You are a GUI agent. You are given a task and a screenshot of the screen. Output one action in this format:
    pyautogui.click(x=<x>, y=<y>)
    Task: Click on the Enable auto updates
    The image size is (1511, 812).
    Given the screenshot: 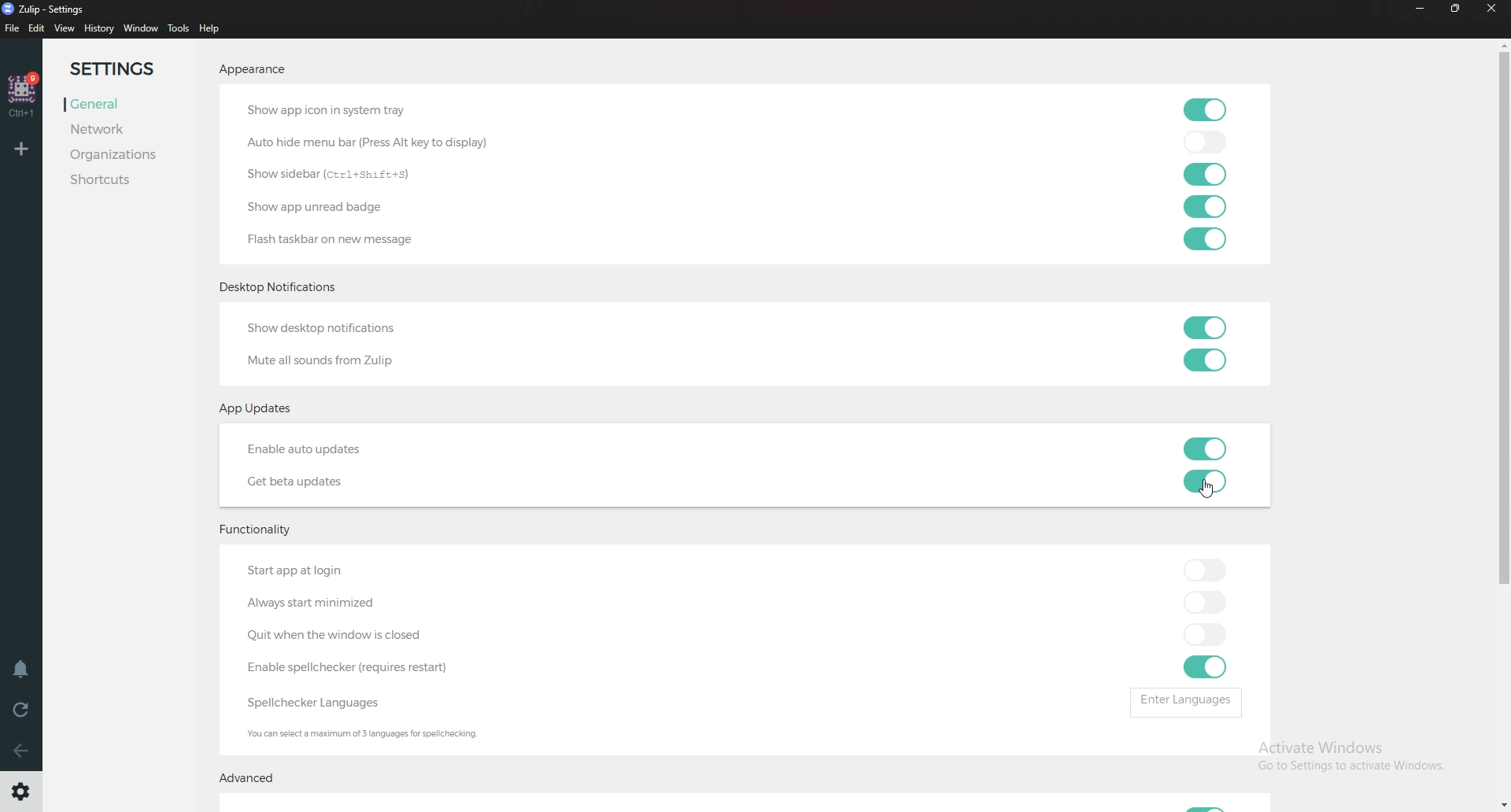 What is the action you would take?
    pyautogui.click(x=341, y=451)
    